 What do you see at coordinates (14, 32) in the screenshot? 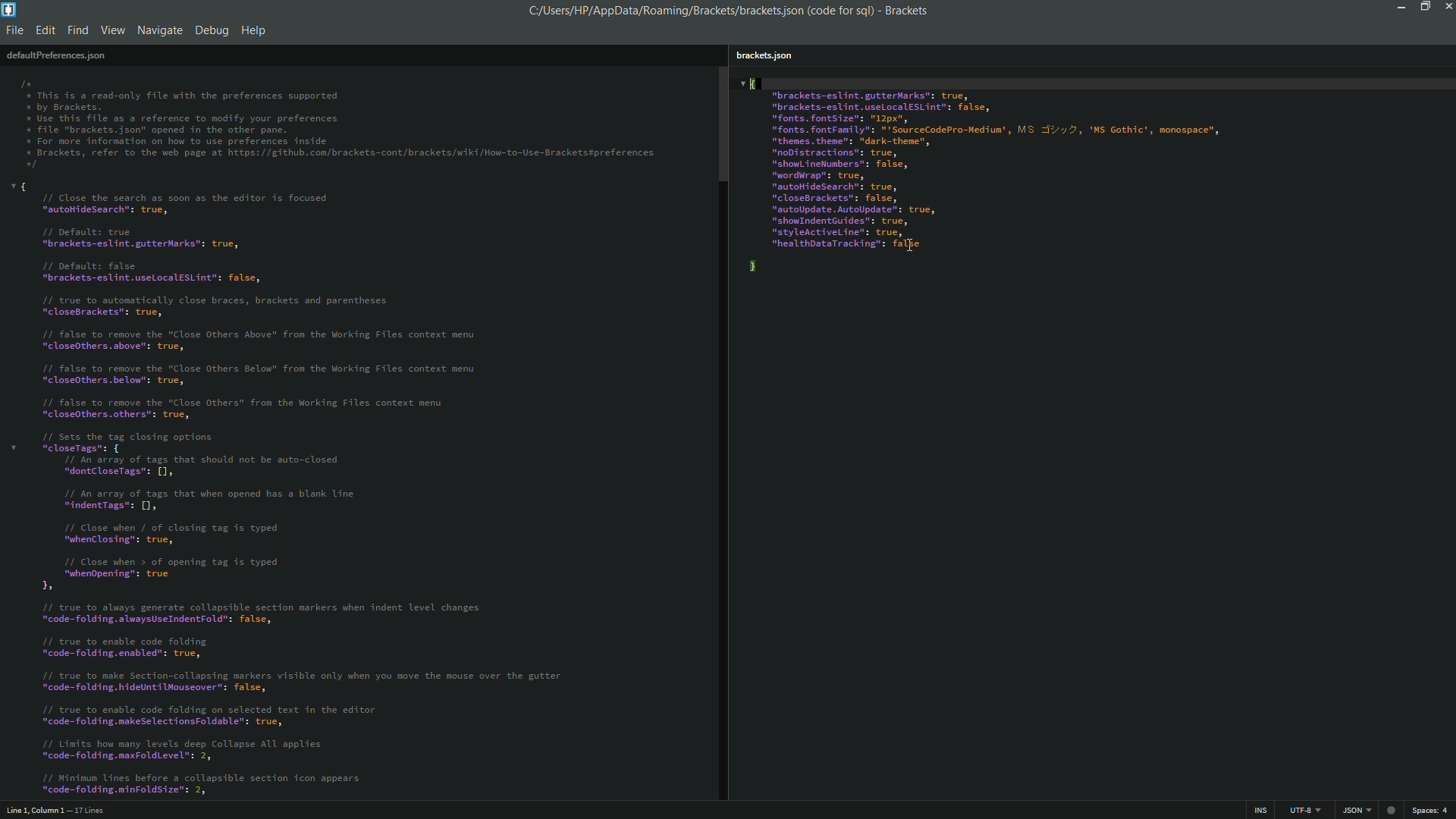
I see `File menu` at bounding box center [14, 32].